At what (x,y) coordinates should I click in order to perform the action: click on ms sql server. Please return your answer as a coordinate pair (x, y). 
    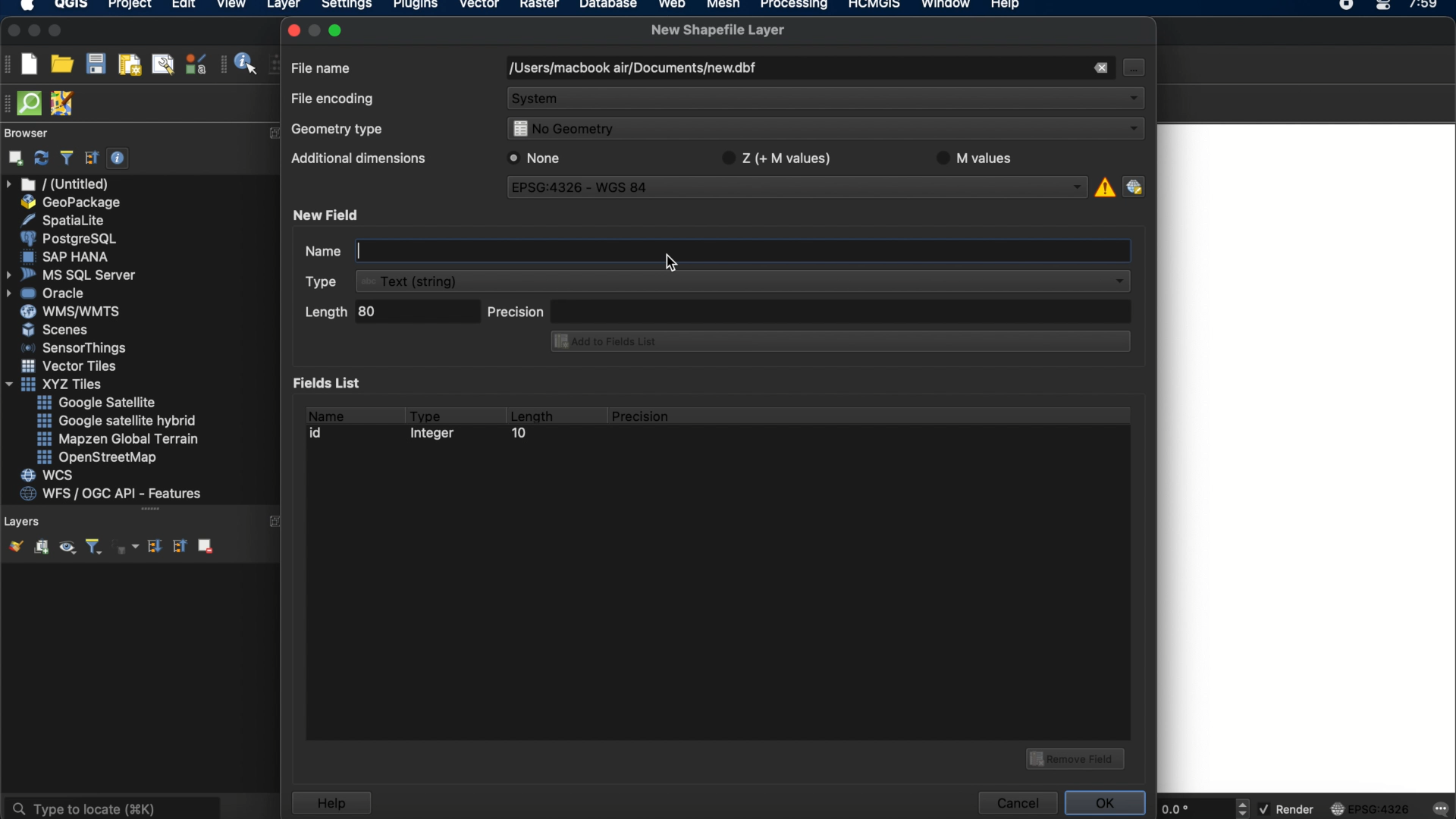
    Looking at the image, I should click on (74, 274).